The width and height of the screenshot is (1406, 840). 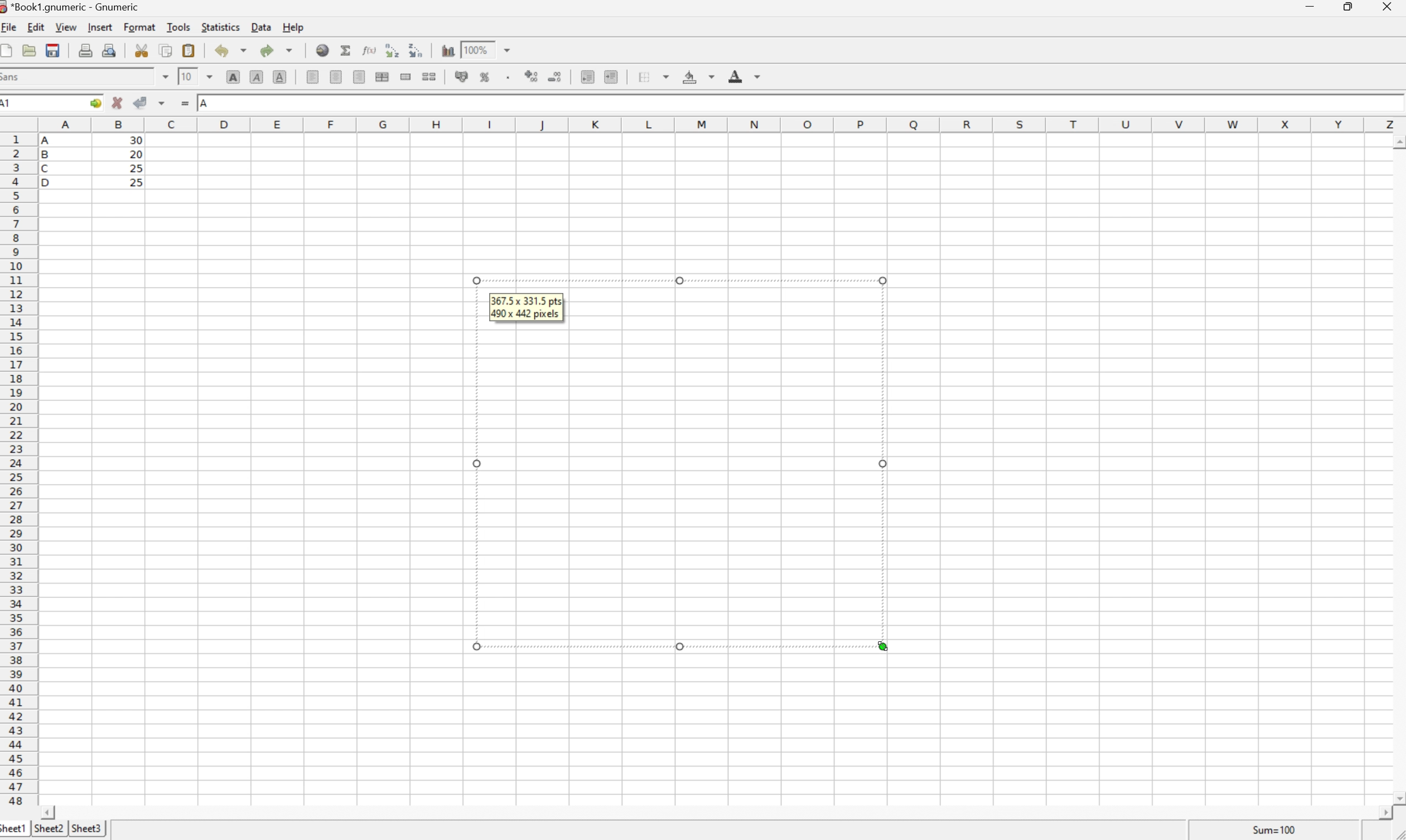 I want to click on View, so click(x=67, y=27).